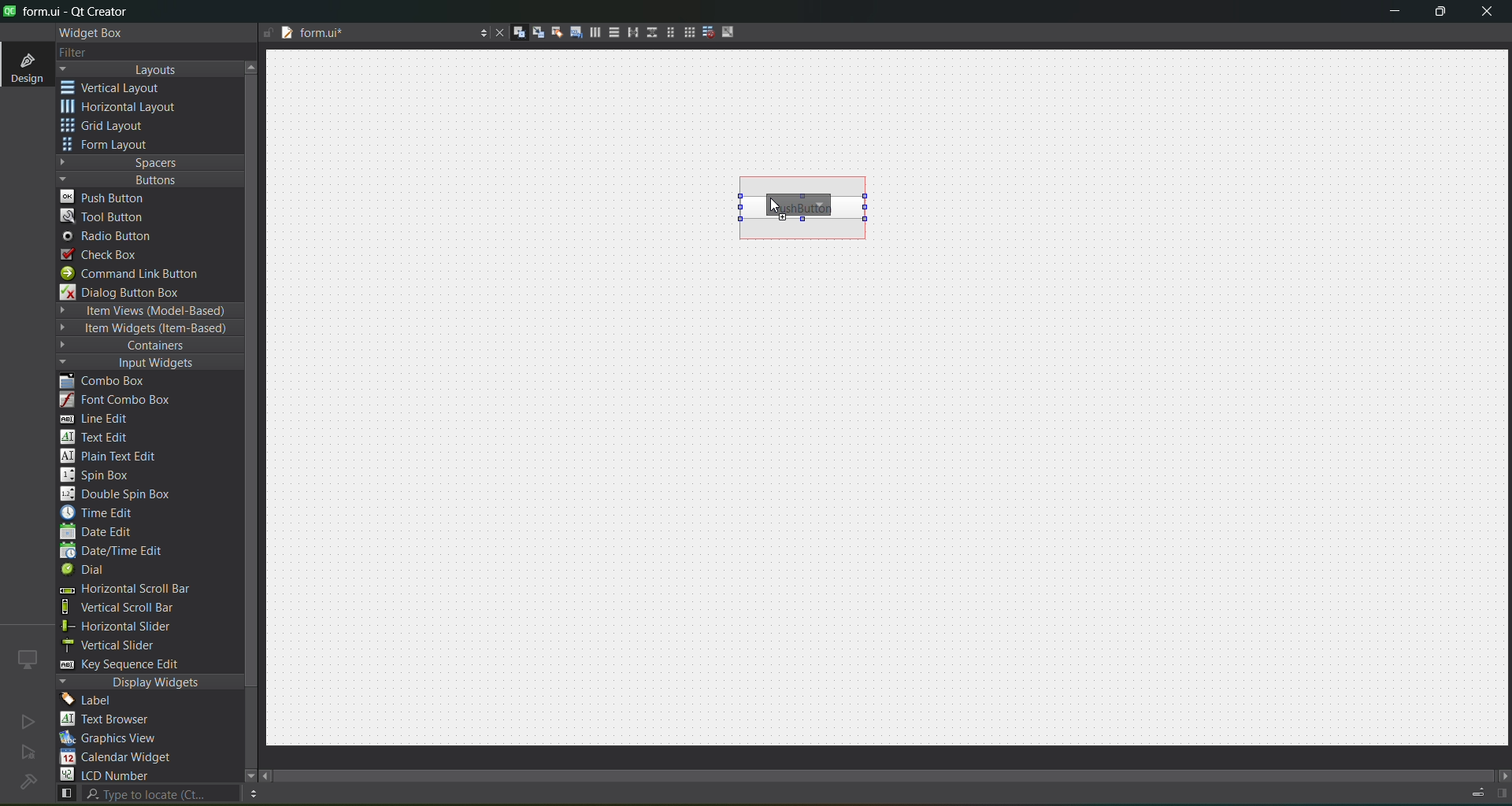 The height and width of the screenshot is (806, 1512). I want to click on layout in a grid, so click(684, 32).